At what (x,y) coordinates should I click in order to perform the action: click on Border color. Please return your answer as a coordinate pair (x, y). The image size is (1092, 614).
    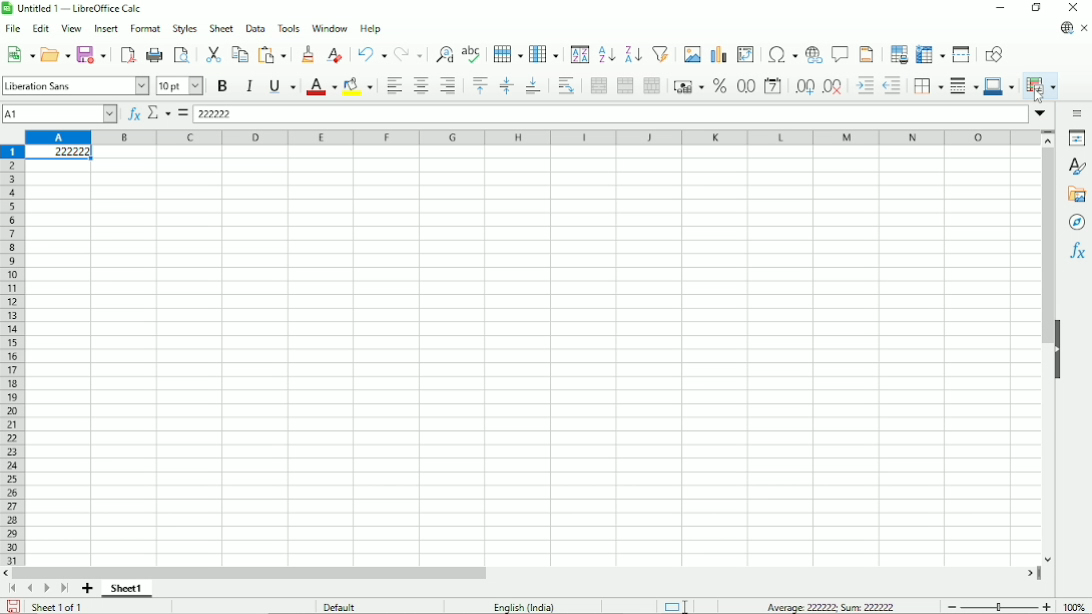
    Looking at the image, I should click on (1001, 86).